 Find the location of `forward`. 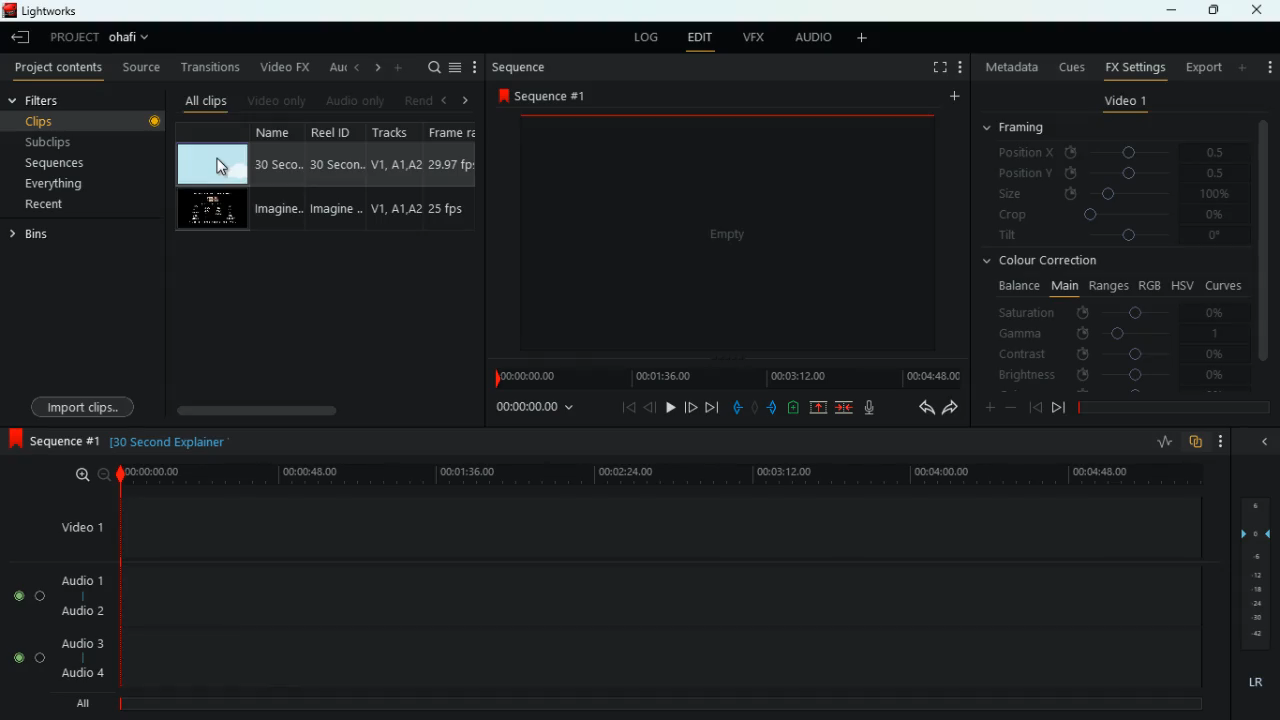

forward is located at coordinates (712, 408).